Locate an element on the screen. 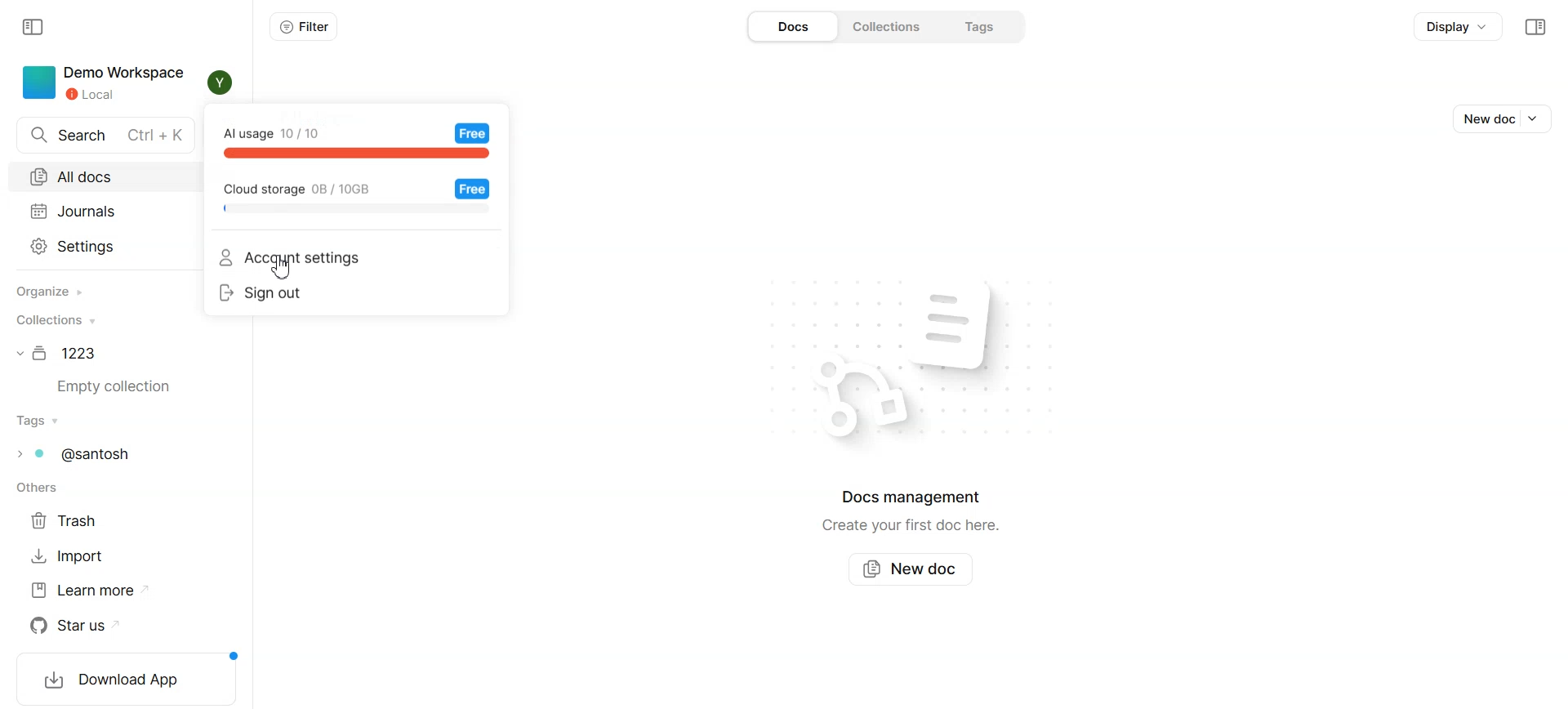  Cursor on Account settings is located at coordinates (283, 268).